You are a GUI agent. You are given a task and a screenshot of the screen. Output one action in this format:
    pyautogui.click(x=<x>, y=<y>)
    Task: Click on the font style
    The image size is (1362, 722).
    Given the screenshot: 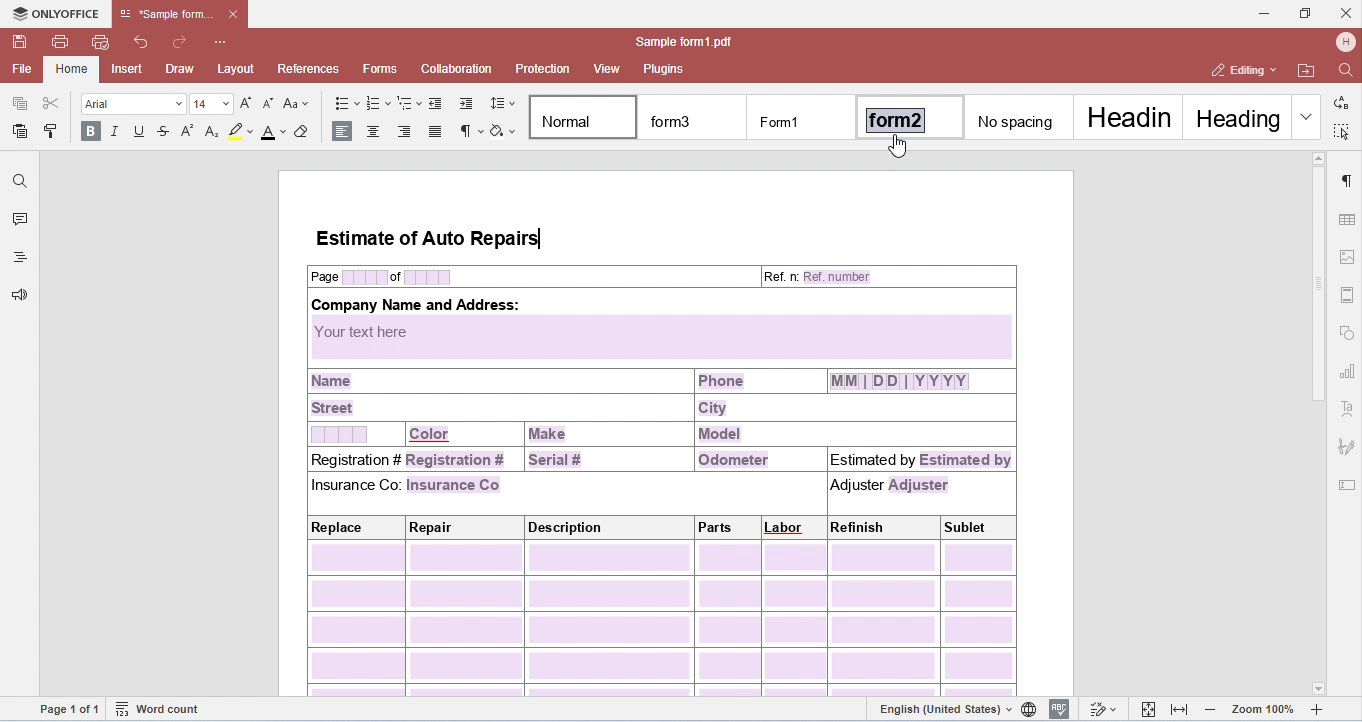 What is the action you would take?
    pyautogui.click(x=134, y=104)
    